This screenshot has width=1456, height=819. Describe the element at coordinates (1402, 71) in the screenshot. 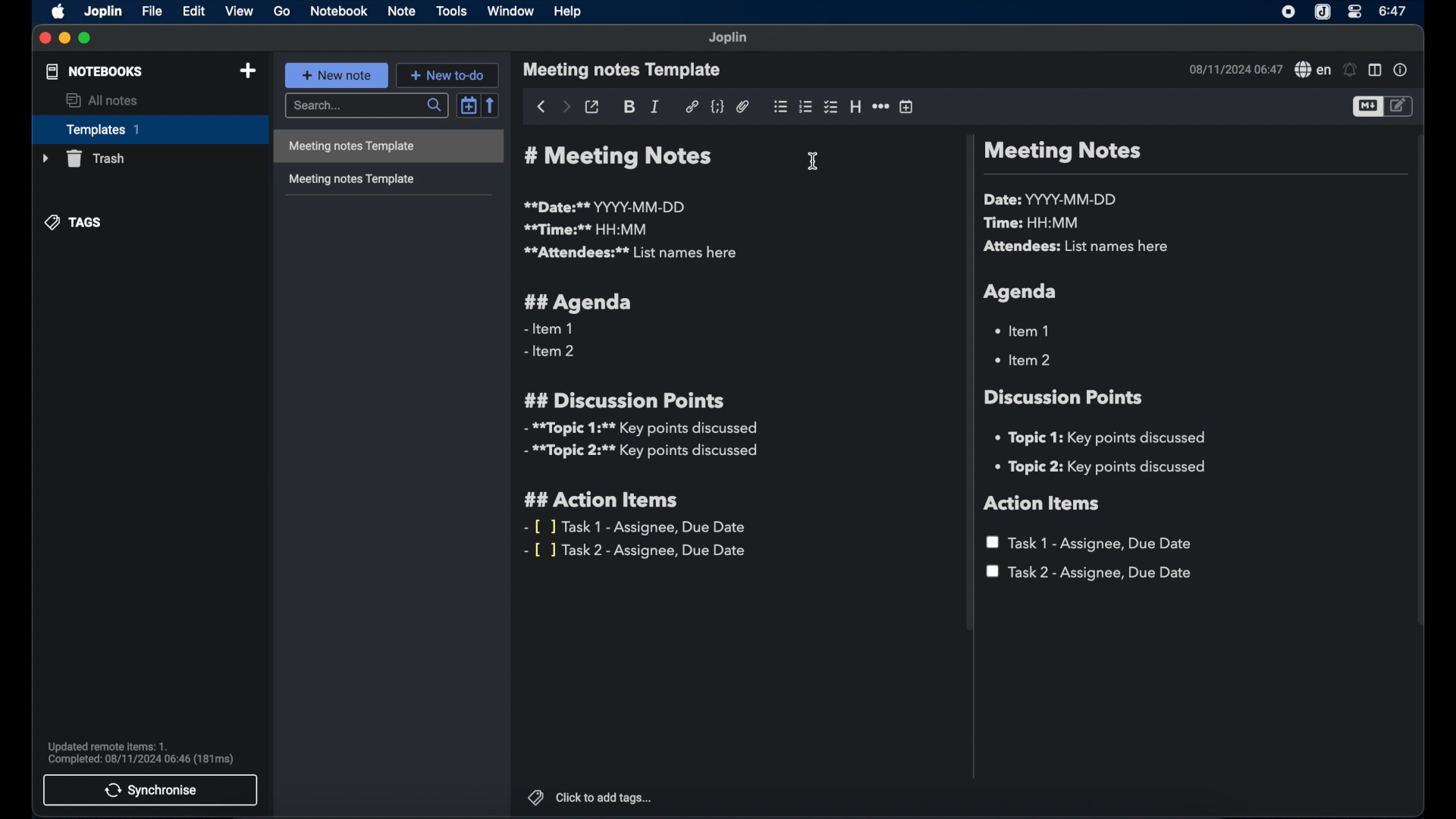

I see `note properties` at that location.